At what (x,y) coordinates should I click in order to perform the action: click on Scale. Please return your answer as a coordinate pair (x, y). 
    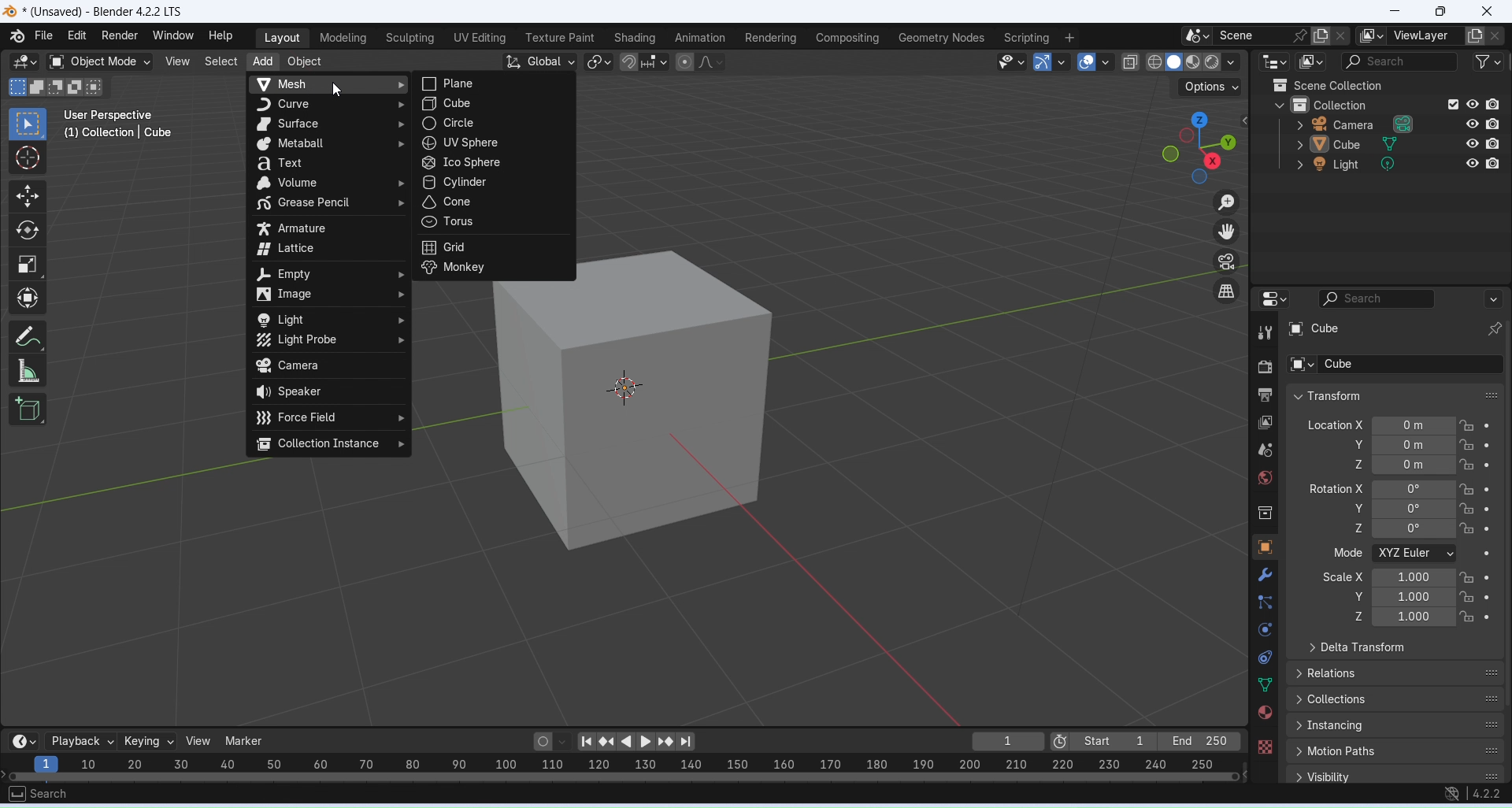
    Looking at the image, I should click on (27, 265).